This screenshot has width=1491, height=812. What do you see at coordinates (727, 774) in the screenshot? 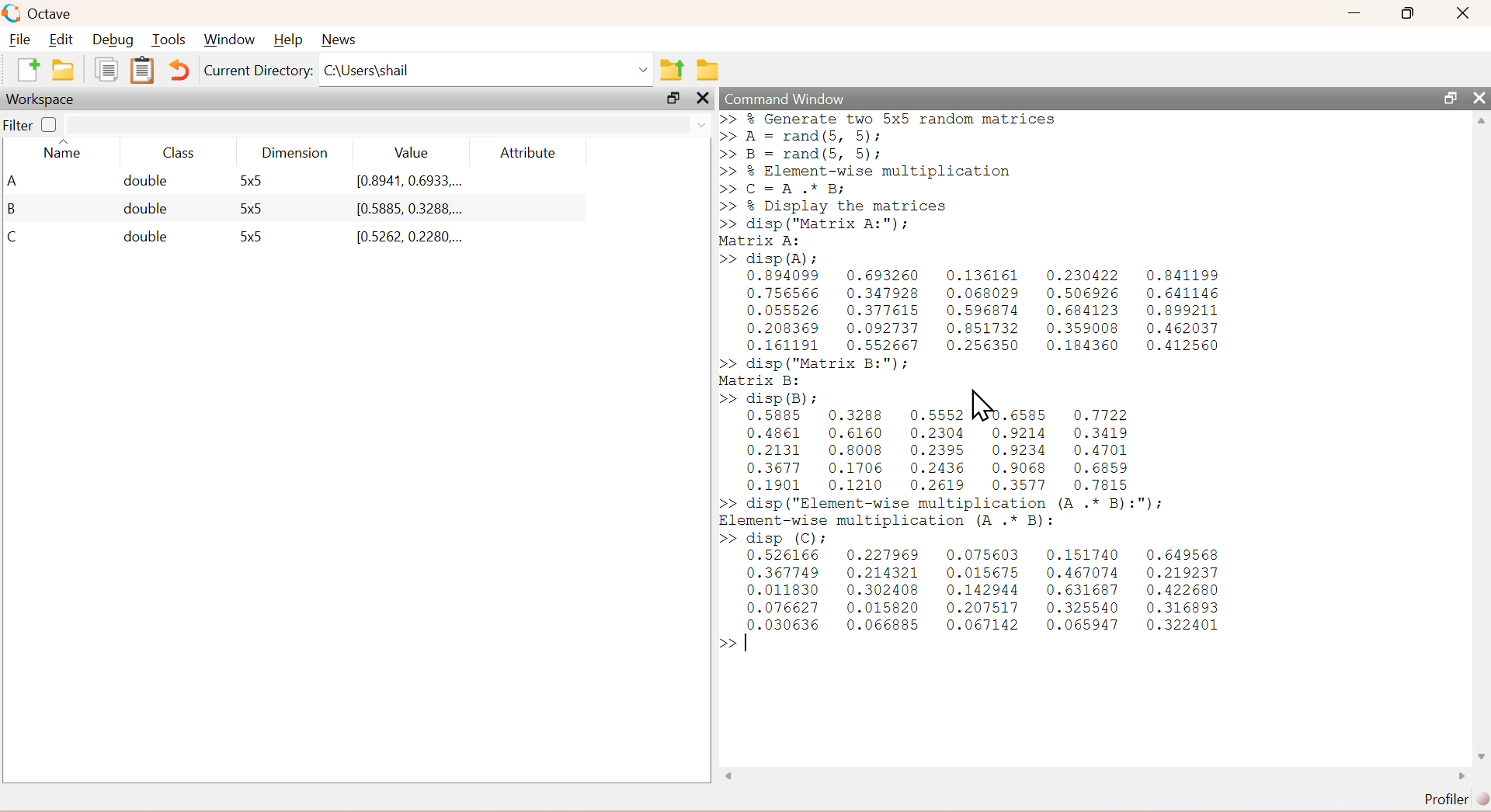
I see `Left` at bounding box center [727, 774].